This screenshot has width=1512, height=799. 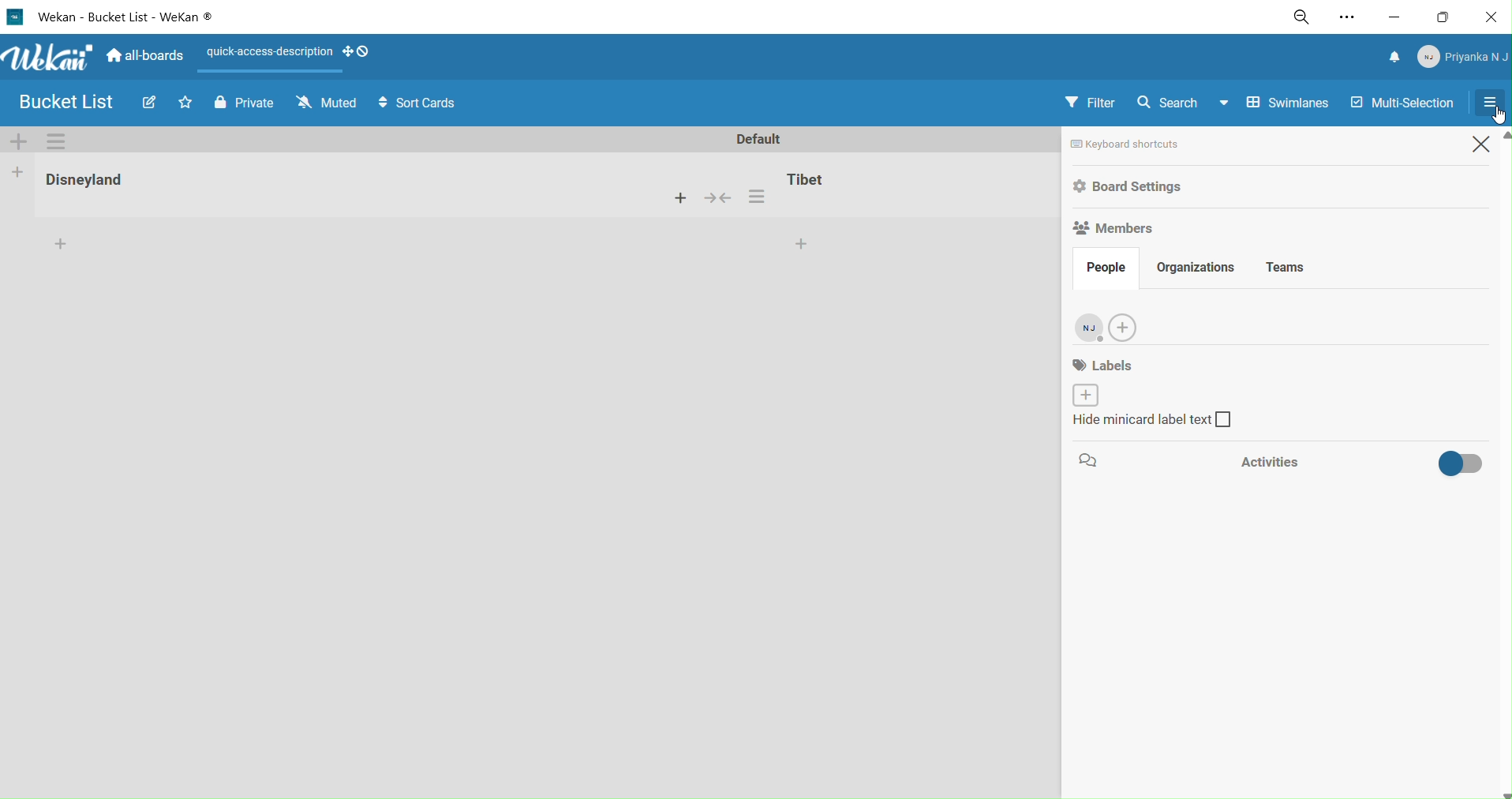 I want to click on add a card, so click(x=680, y=197).